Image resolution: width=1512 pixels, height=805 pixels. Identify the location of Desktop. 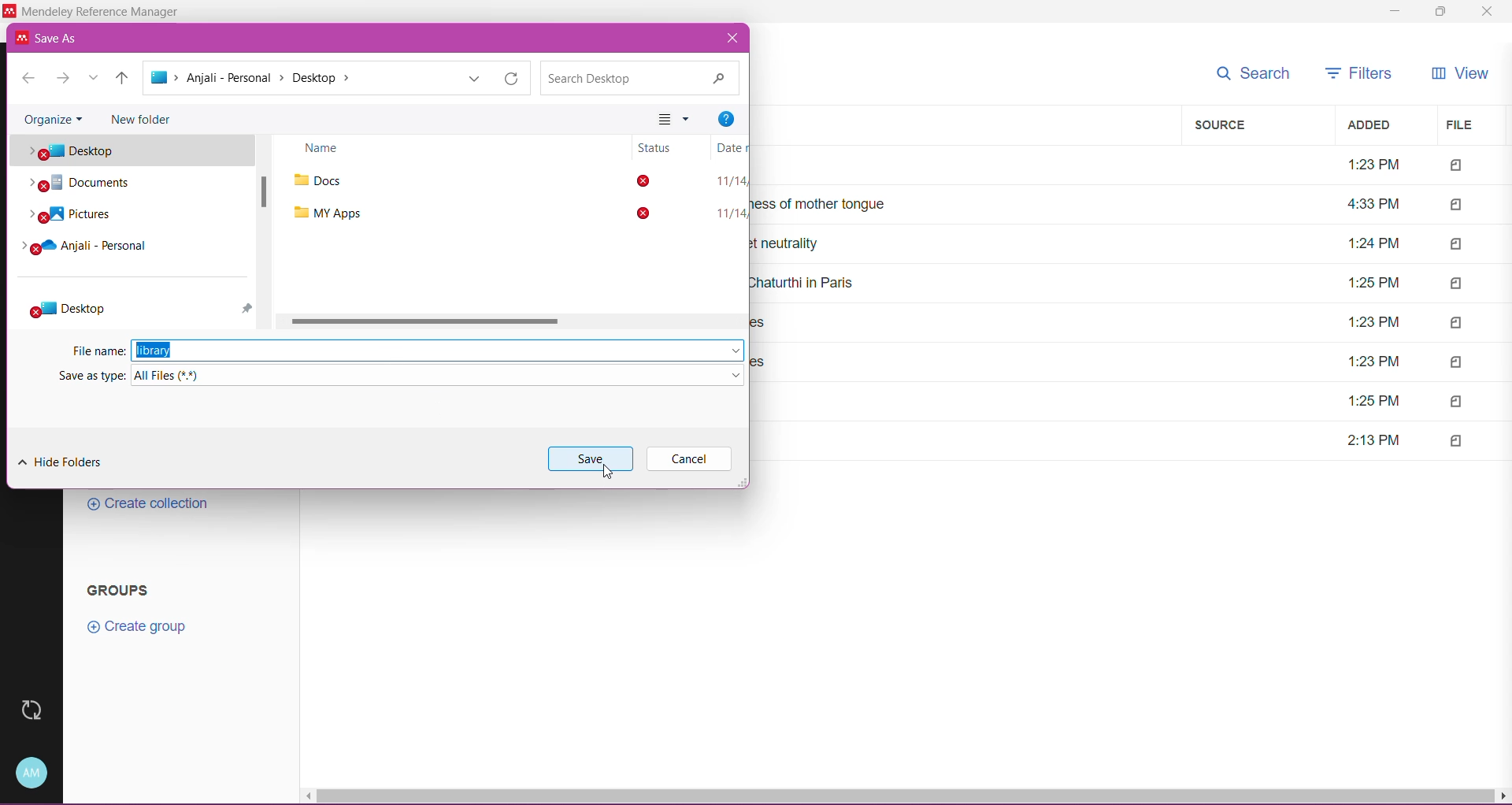
(135, 151).